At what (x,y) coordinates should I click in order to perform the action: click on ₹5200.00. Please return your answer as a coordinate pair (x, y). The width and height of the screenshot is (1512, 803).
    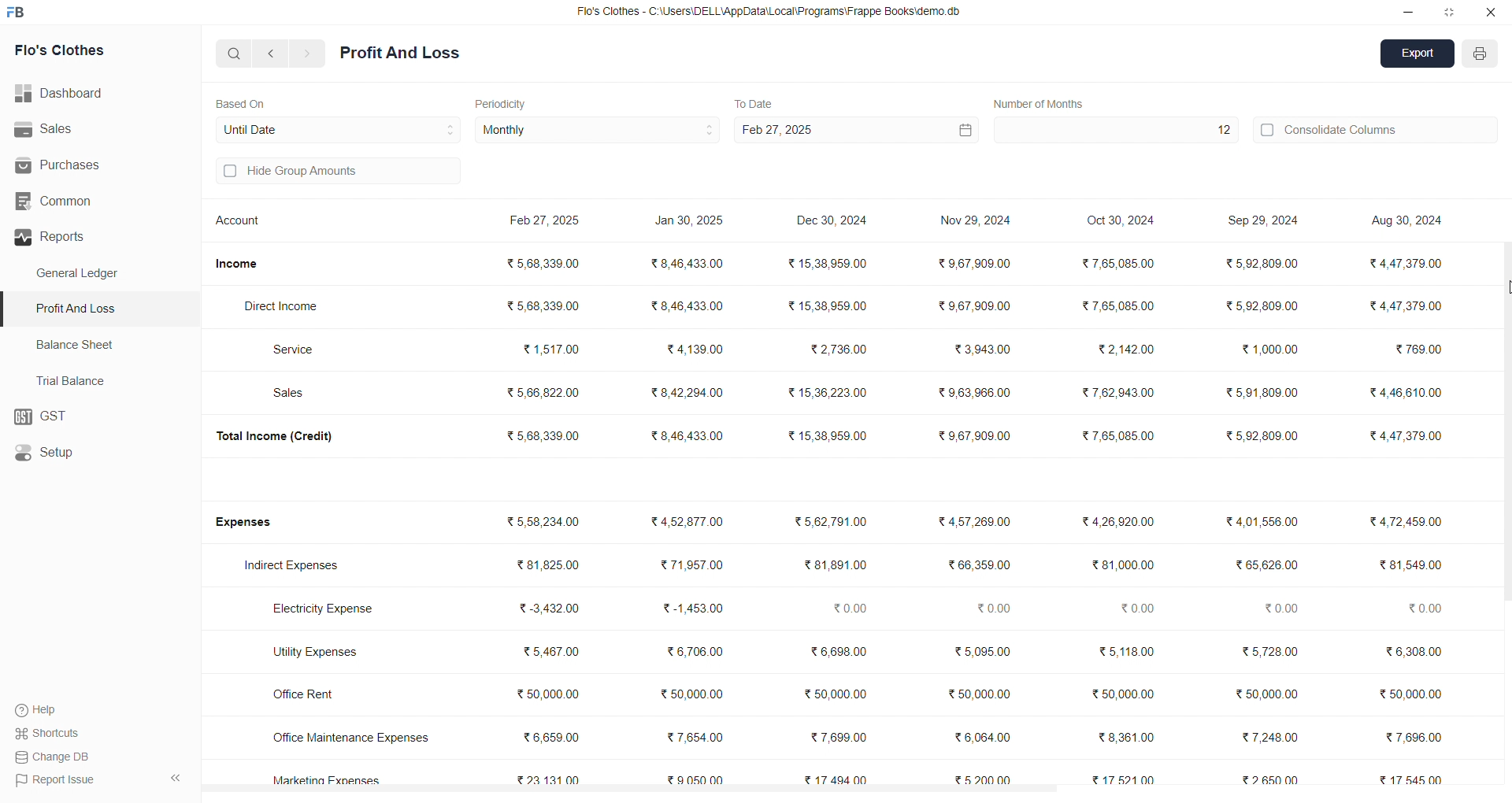
    Looking at the image, I should click on (988, 780).